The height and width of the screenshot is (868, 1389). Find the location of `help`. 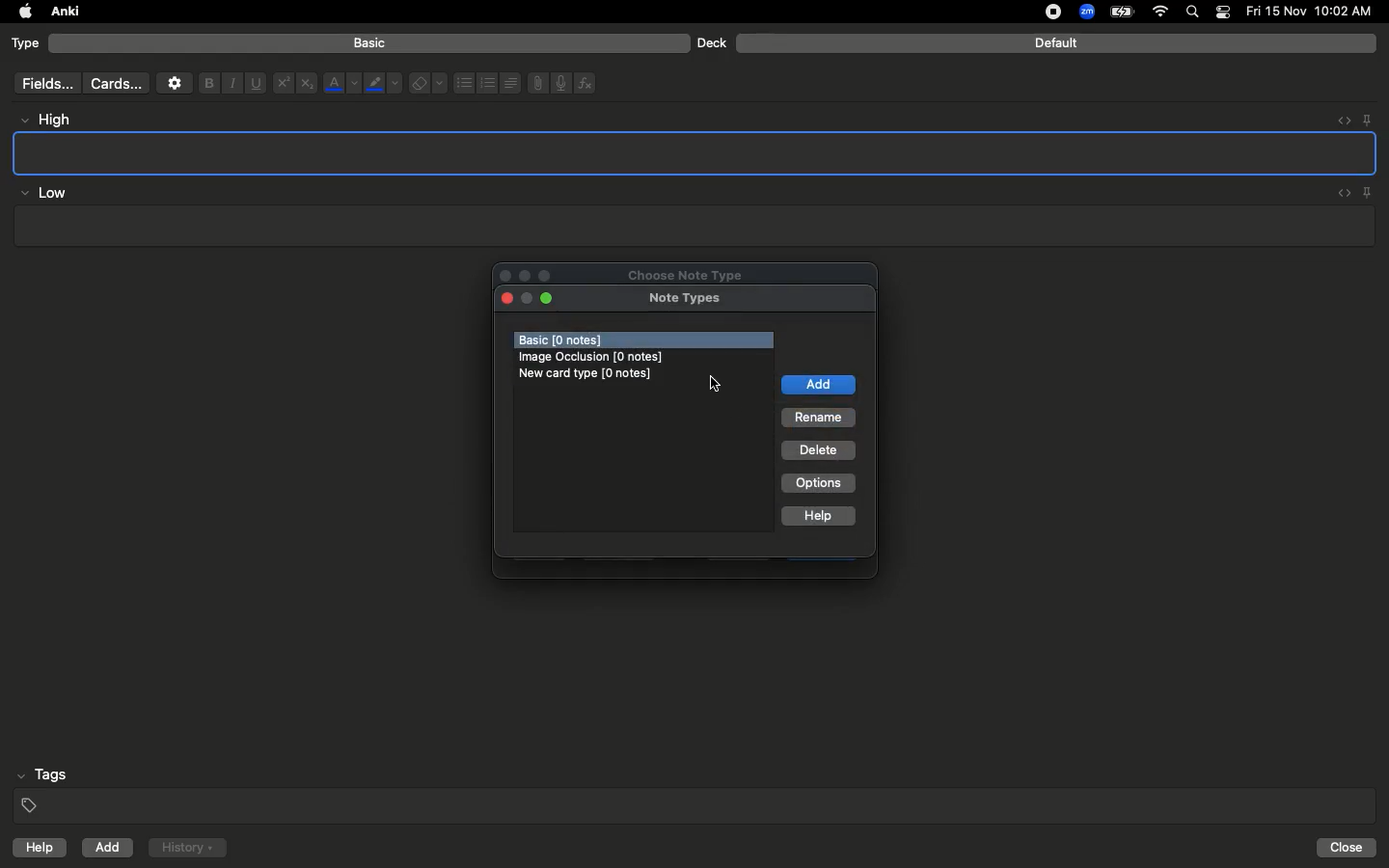

help is located at coordinates (36, 850).